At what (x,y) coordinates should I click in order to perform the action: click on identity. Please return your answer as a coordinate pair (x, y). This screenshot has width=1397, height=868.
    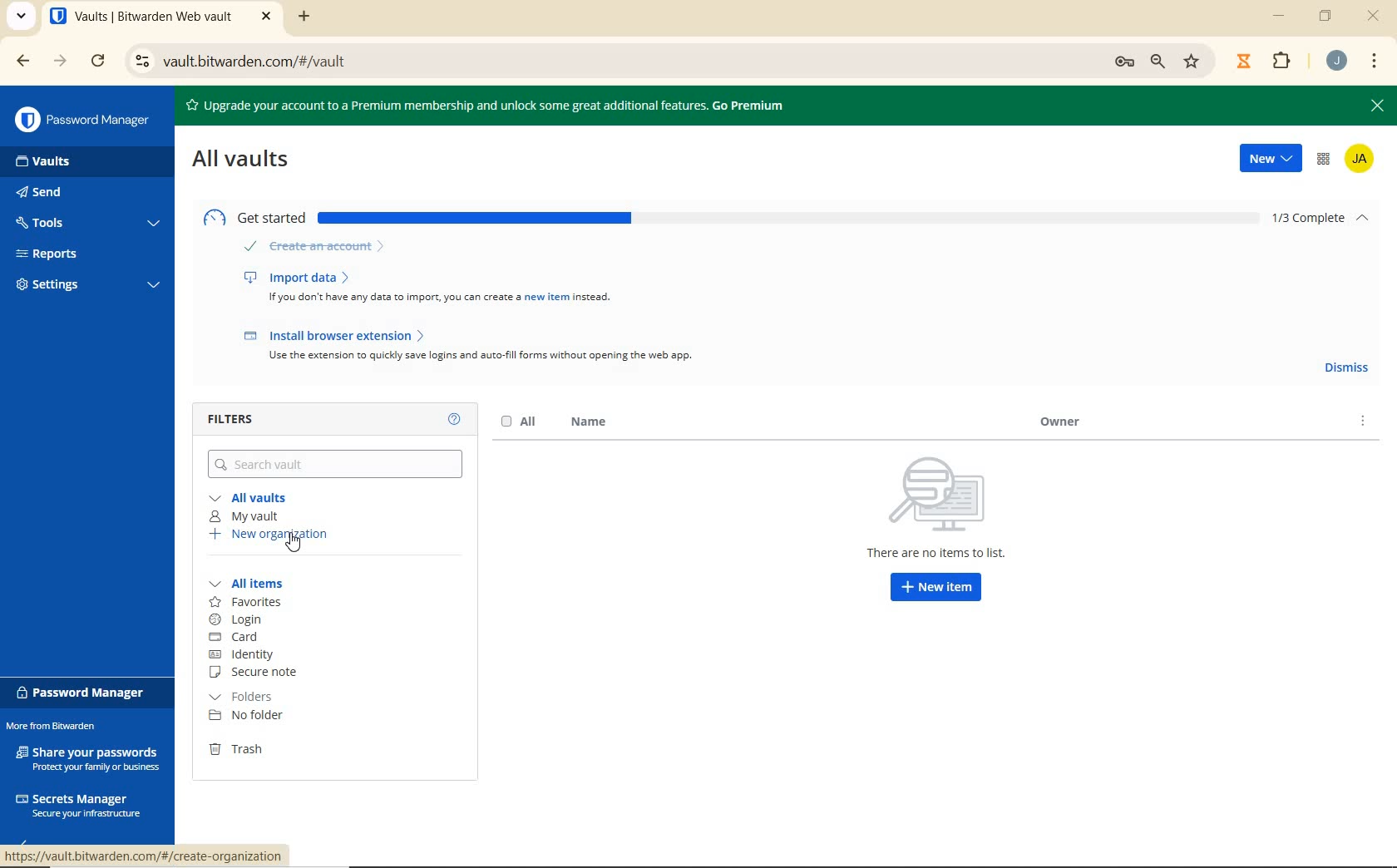
    Looking at the image, I should click on (252, 655).